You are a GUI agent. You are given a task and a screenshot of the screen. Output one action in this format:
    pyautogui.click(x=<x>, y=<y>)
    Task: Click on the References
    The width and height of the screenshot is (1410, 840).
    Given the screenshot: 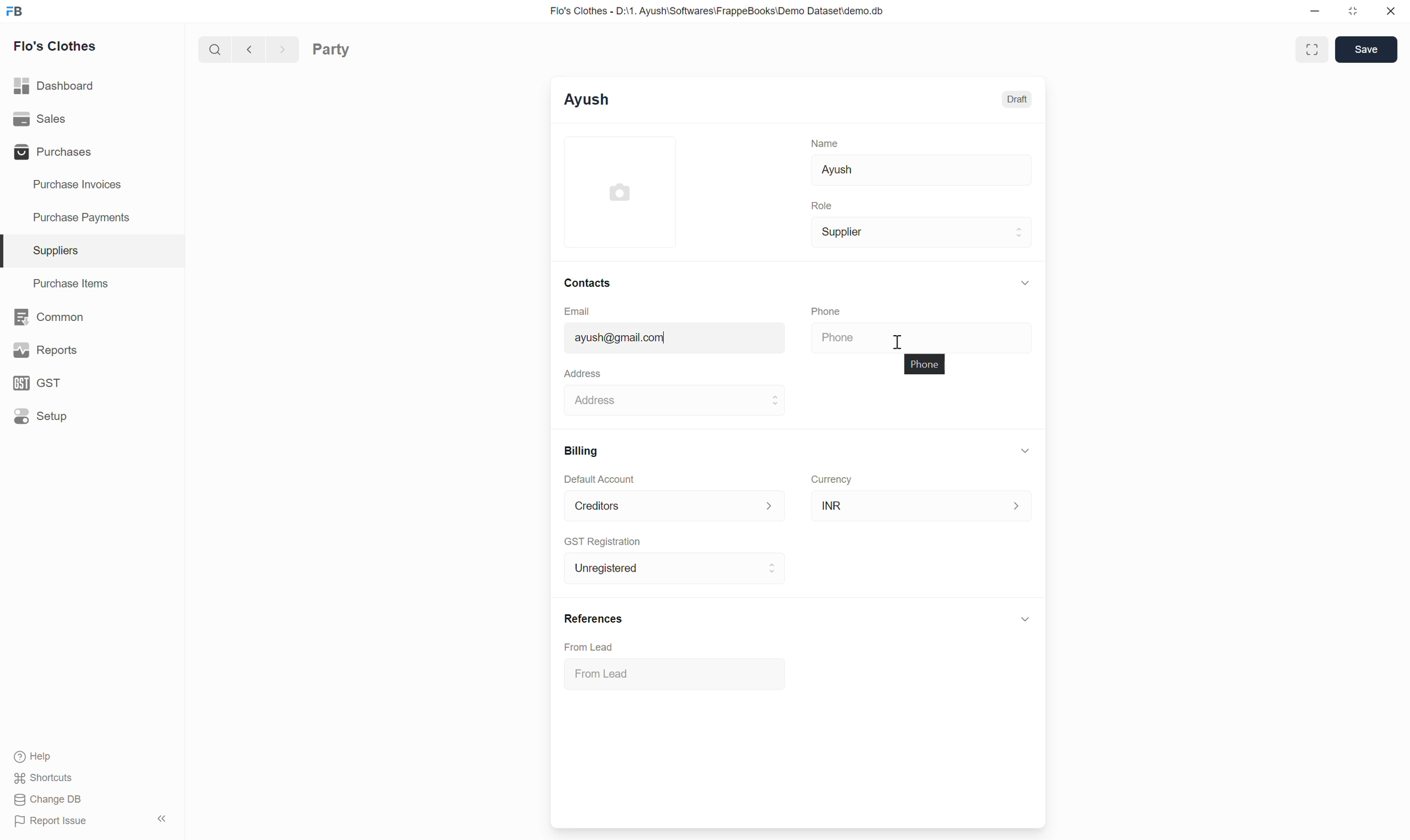 What is the action you would take?
    pyautogui.click(x=595, y=619)
    